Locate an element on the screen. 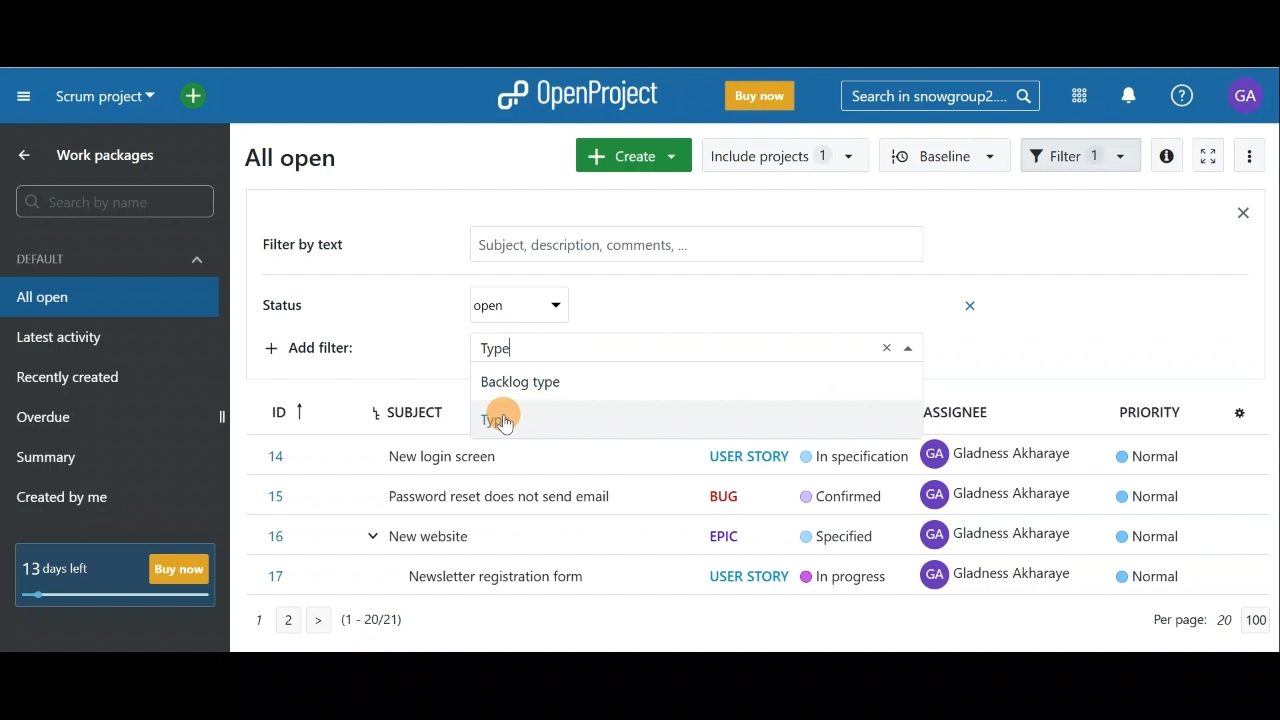 The image size is (1280, 720). Project name is located at coordinates (102, 101).